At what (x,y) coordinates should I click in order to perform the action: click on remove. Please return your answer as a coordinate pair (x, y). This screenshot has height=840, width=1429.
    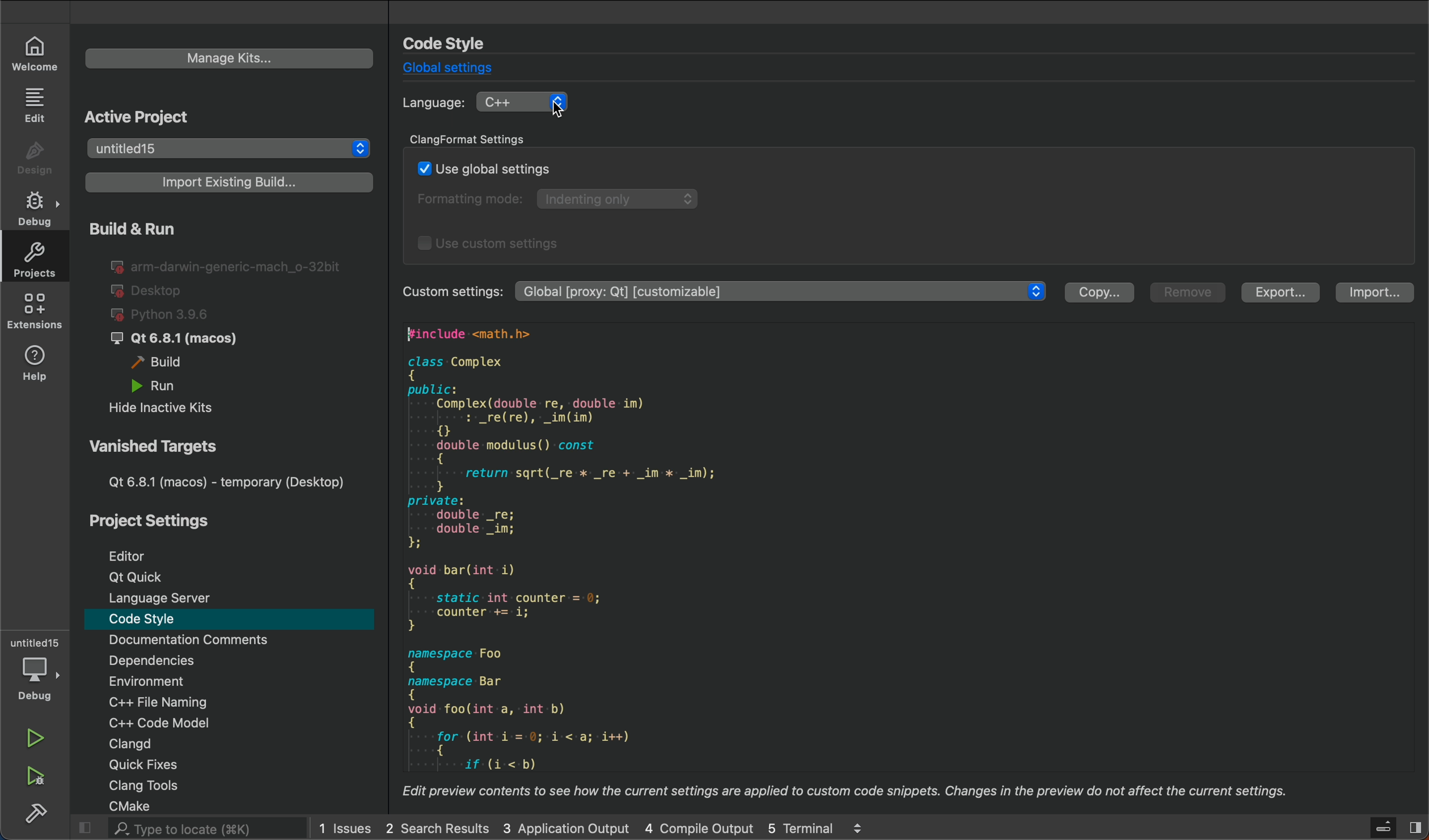
    Looking at the image, I should click on (1190, 294).